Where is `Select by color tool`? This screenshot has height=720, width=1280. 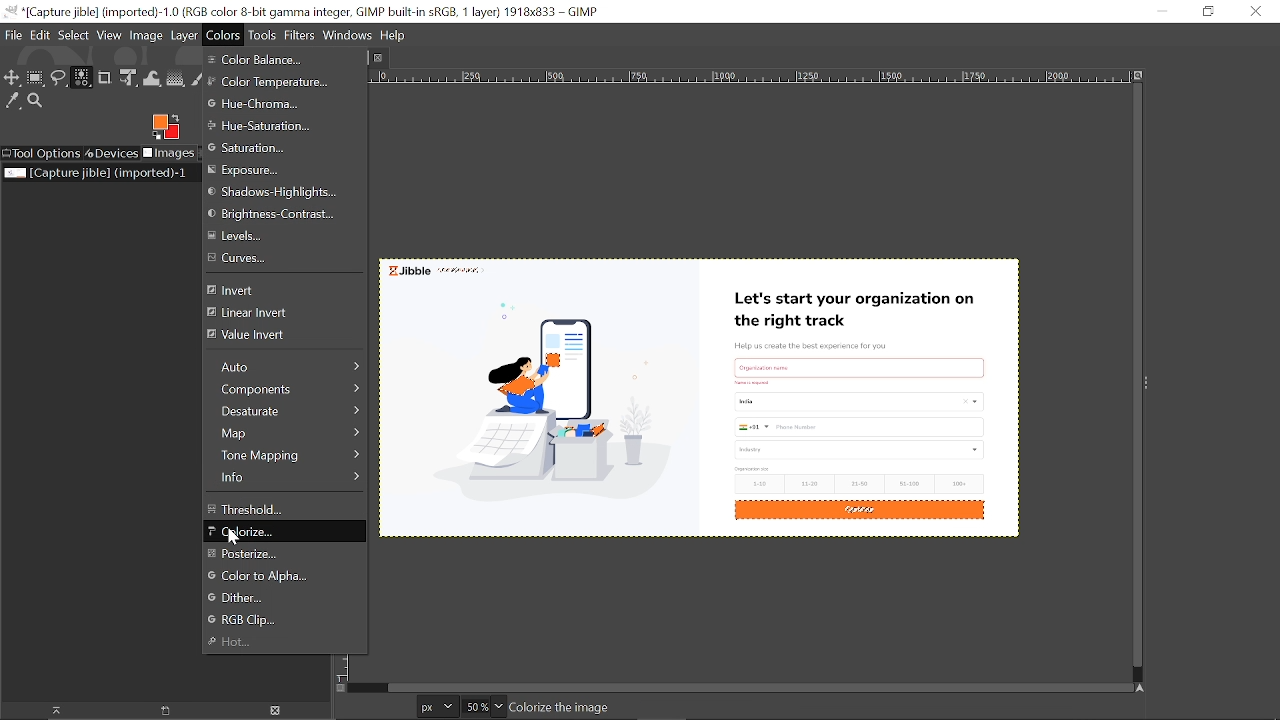
Select by color tool is located at coordinates (81, 77).